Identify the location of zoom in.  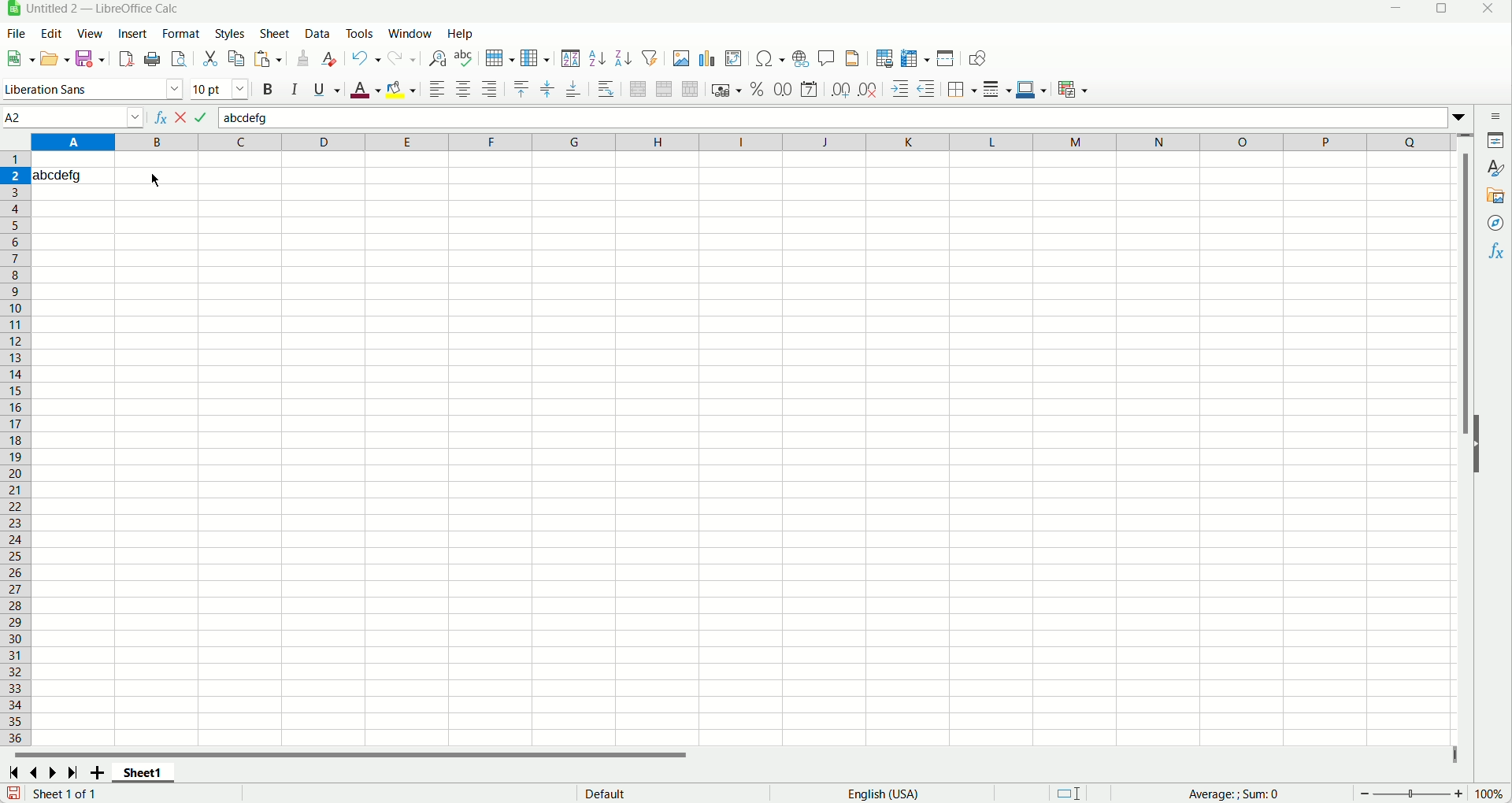
(1459, 794).